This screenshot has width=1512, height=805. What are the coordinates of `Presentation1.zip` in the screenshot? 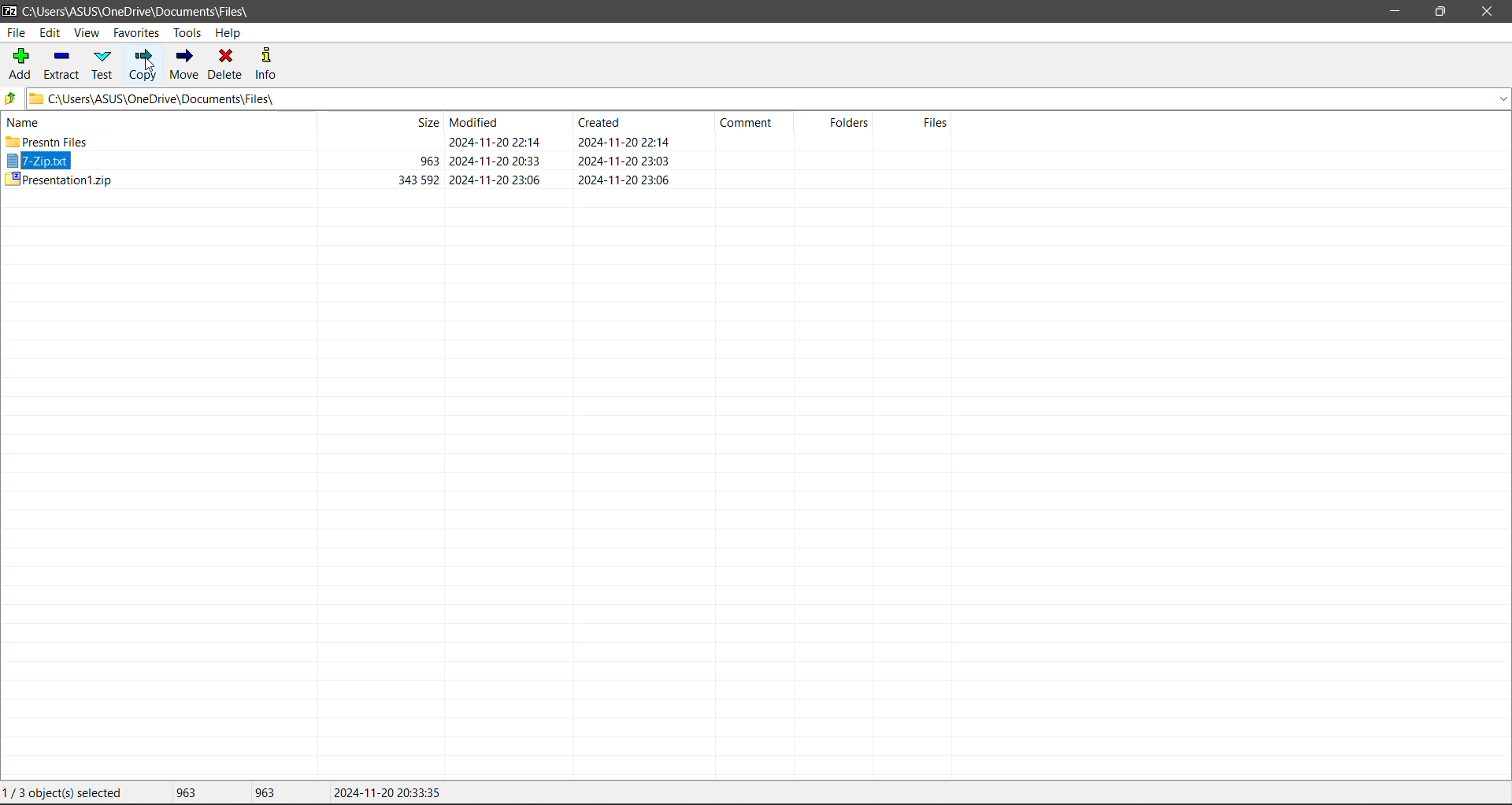 It's located at (57, 180).